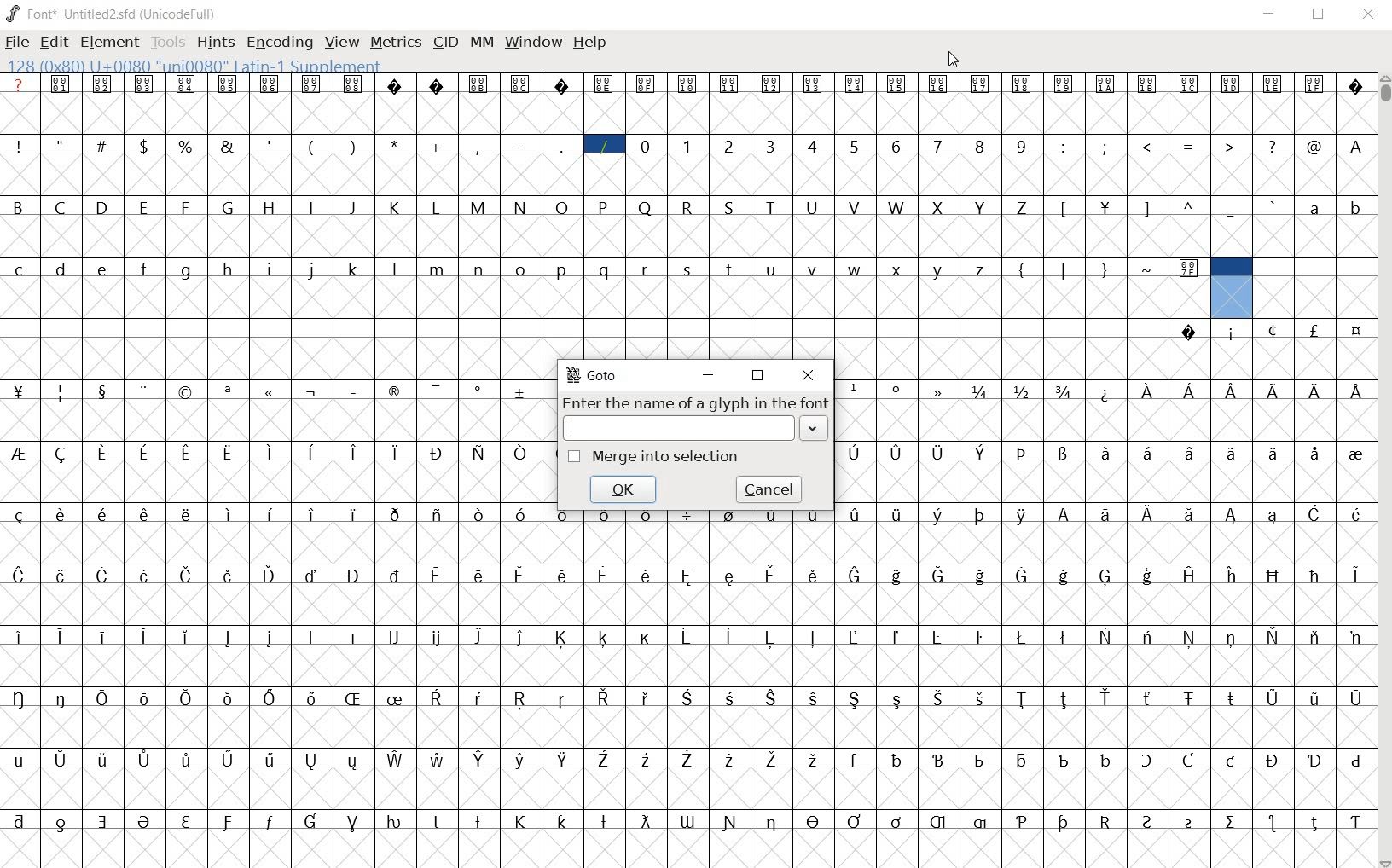 The width and height of the screenshot is (1392, 868). What do you see at coordinates (730, 268) in the screenshot?
I see `t` at bounding box center [730, 268].